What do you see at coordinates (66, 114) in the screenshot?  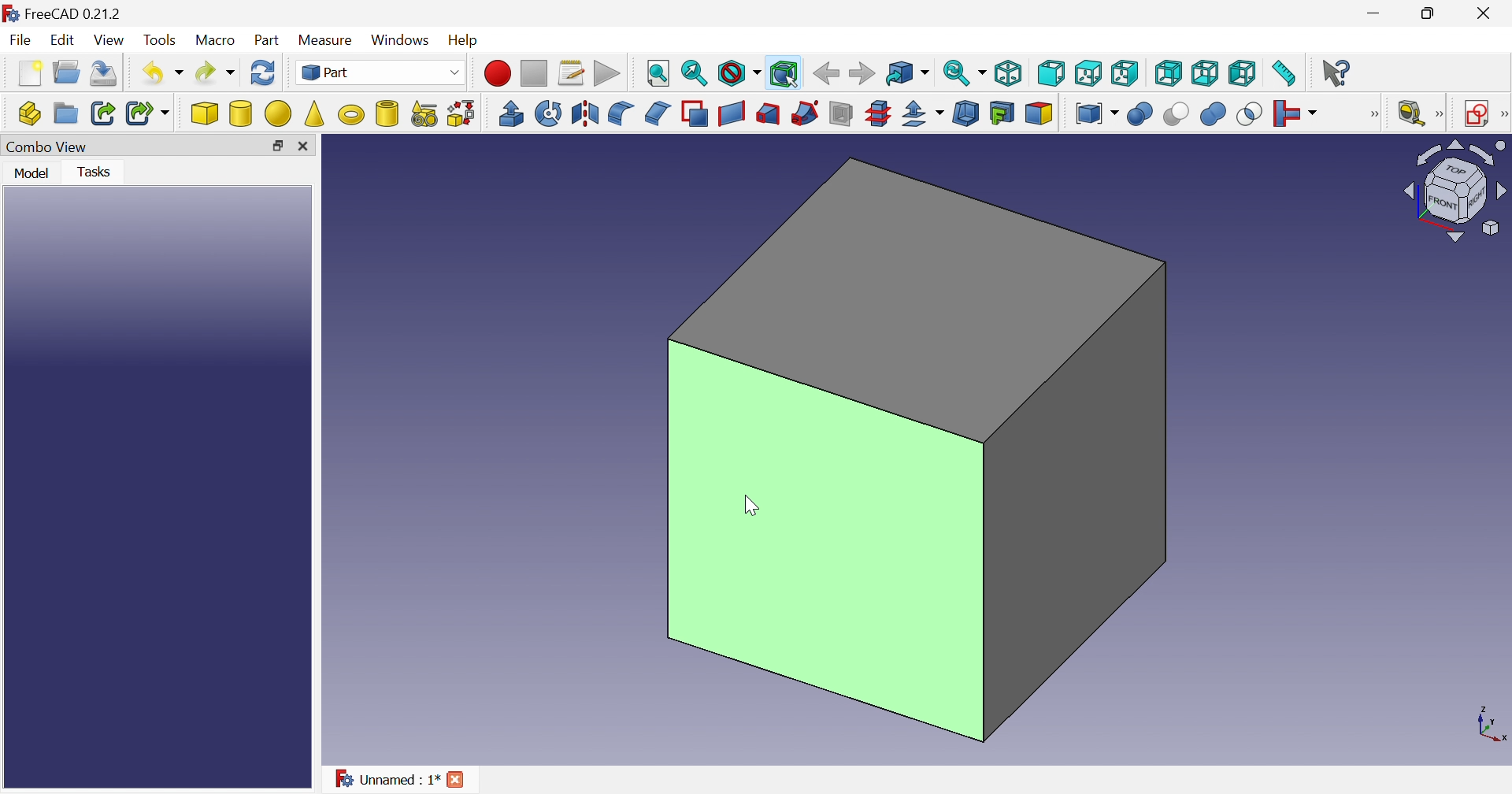 I see `Create group` at bounding box center [66, 114].